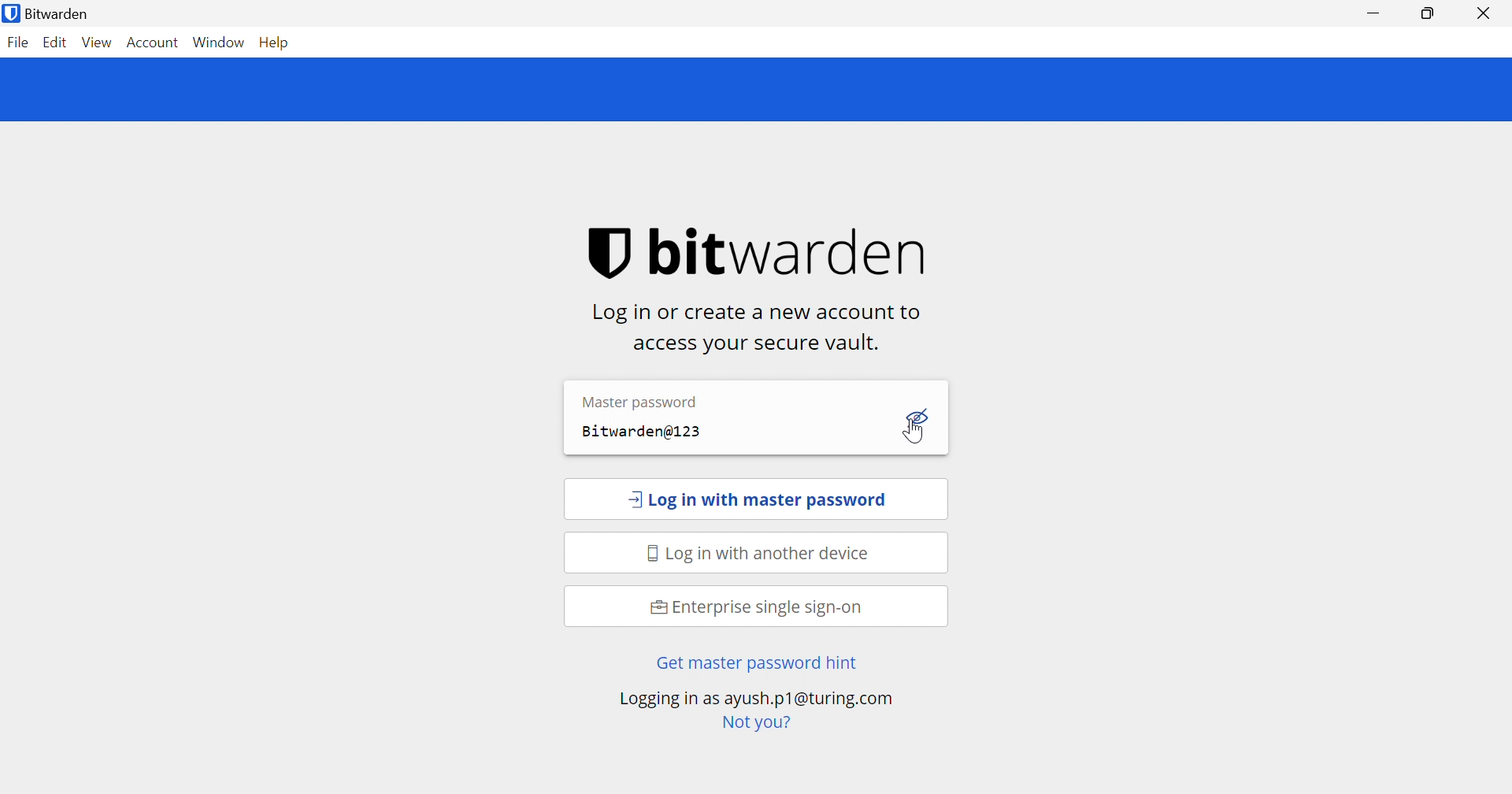 Image resolution: width=1512 pixels, height=794 pixels. Describe the element at coordinates (1377, 13) in the screenshot. I see `Minimize` at that location.